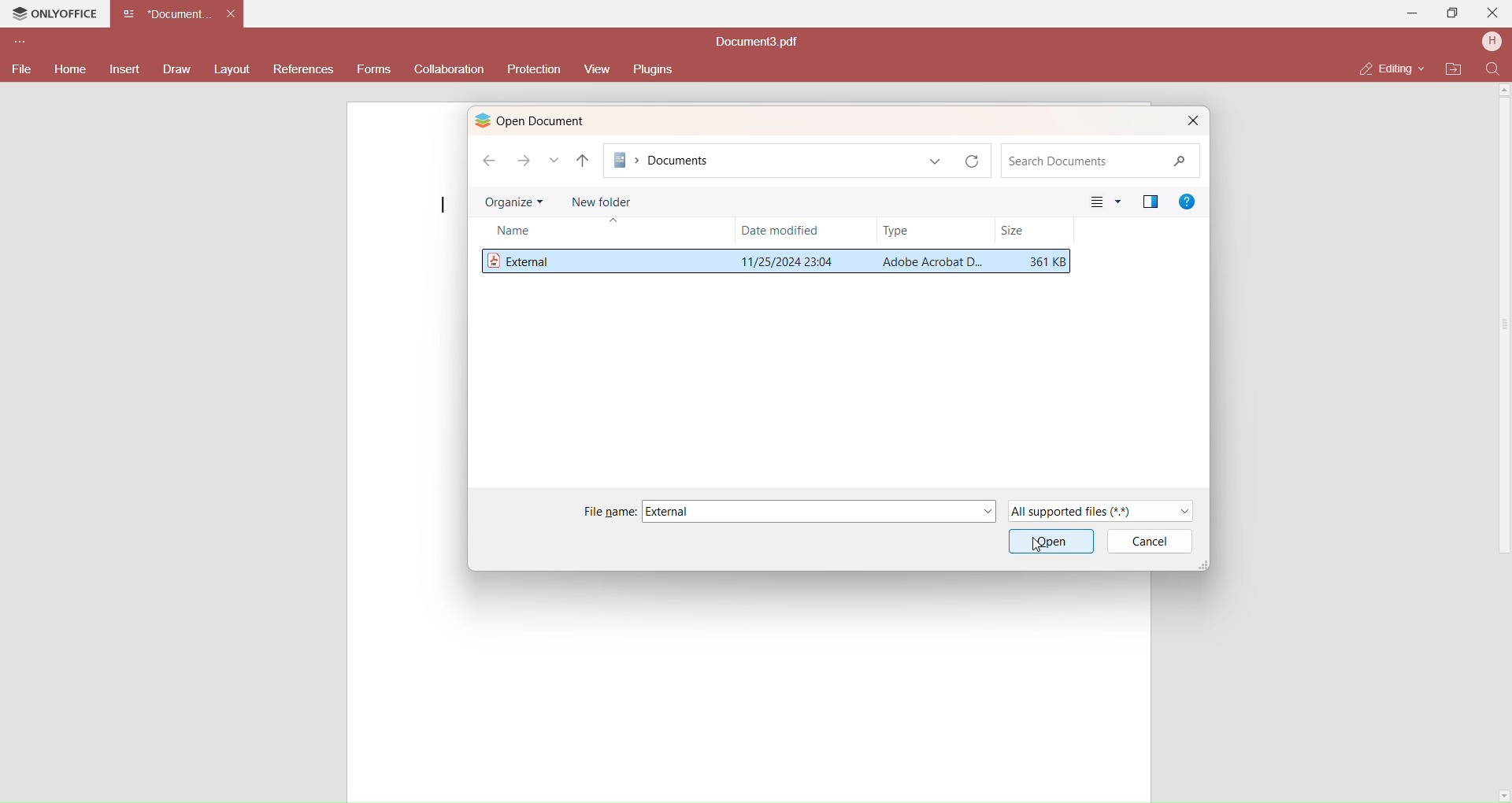 The height and width of the screenshot is (803, 1512). Describe the element at coordinates (487, 158) in the screenshot. I see `backward` at that location.